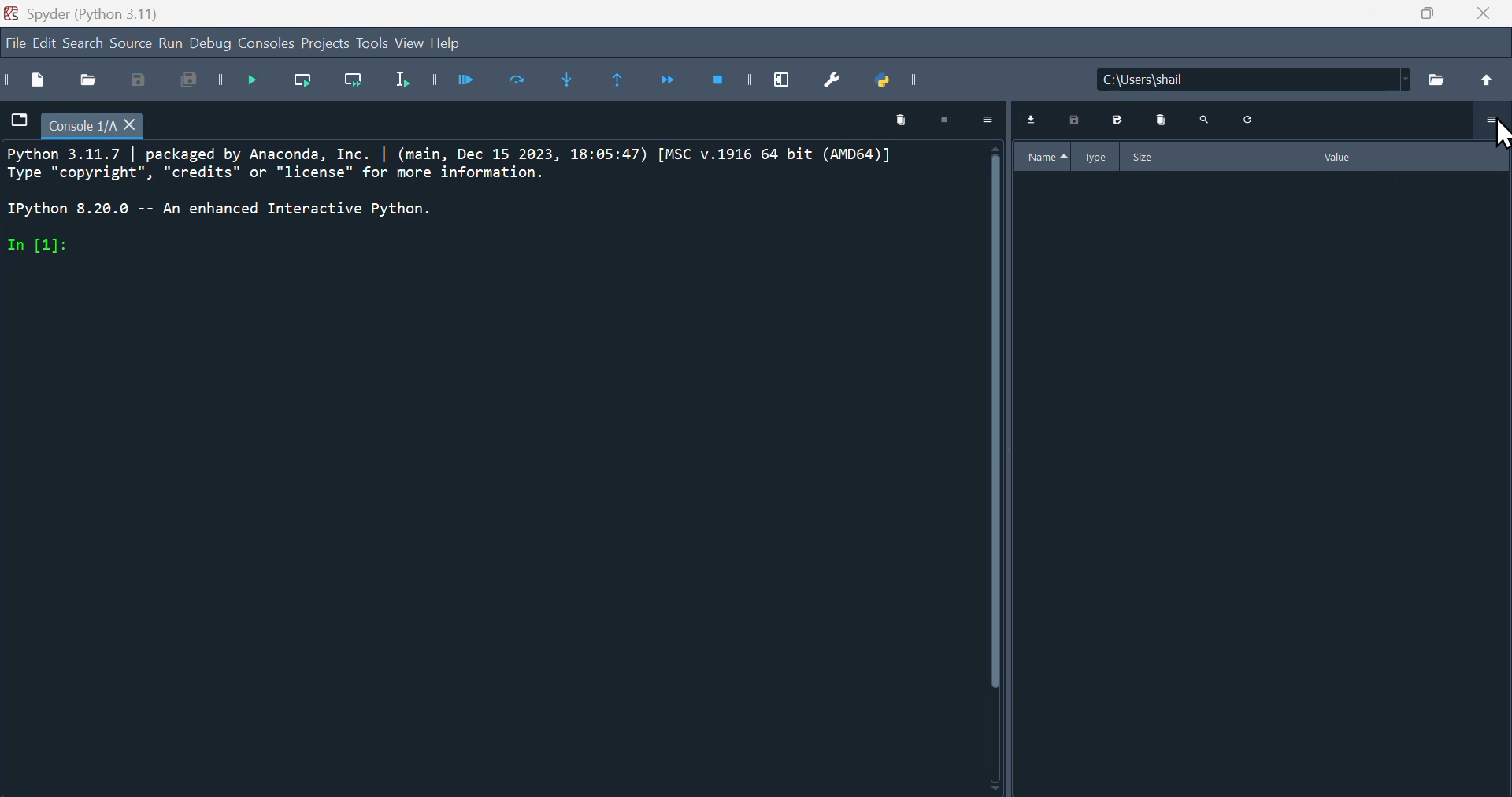 This screenshot has width=1512, height=797. What do you see at coordinates (1159, 123) in the screenshot?
I see `Delete` at bounding box center [1159, 123].